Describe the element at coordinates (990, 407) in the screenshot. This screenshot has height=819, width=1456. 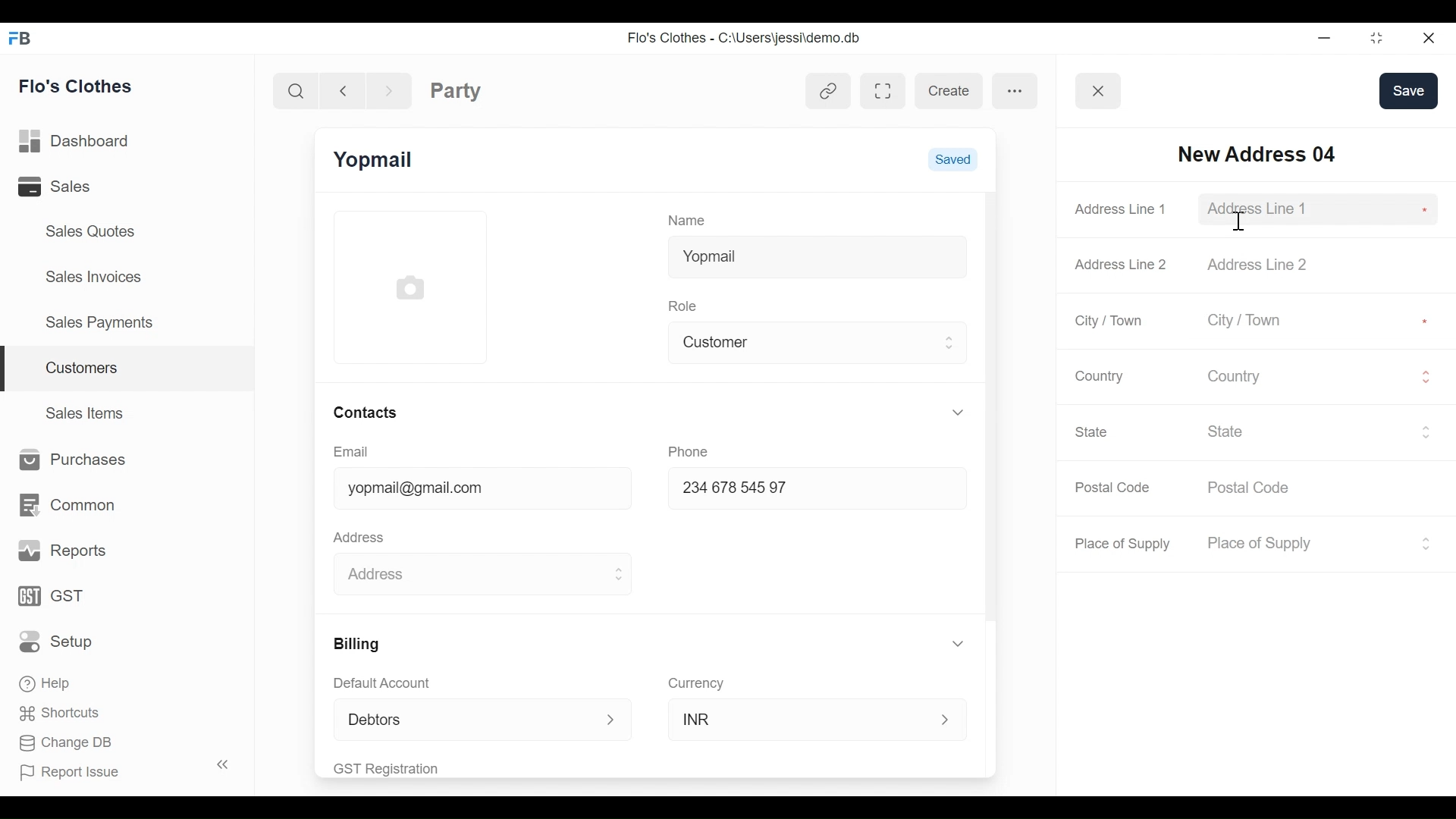
I see `Vertical Scroll bar` at that location.